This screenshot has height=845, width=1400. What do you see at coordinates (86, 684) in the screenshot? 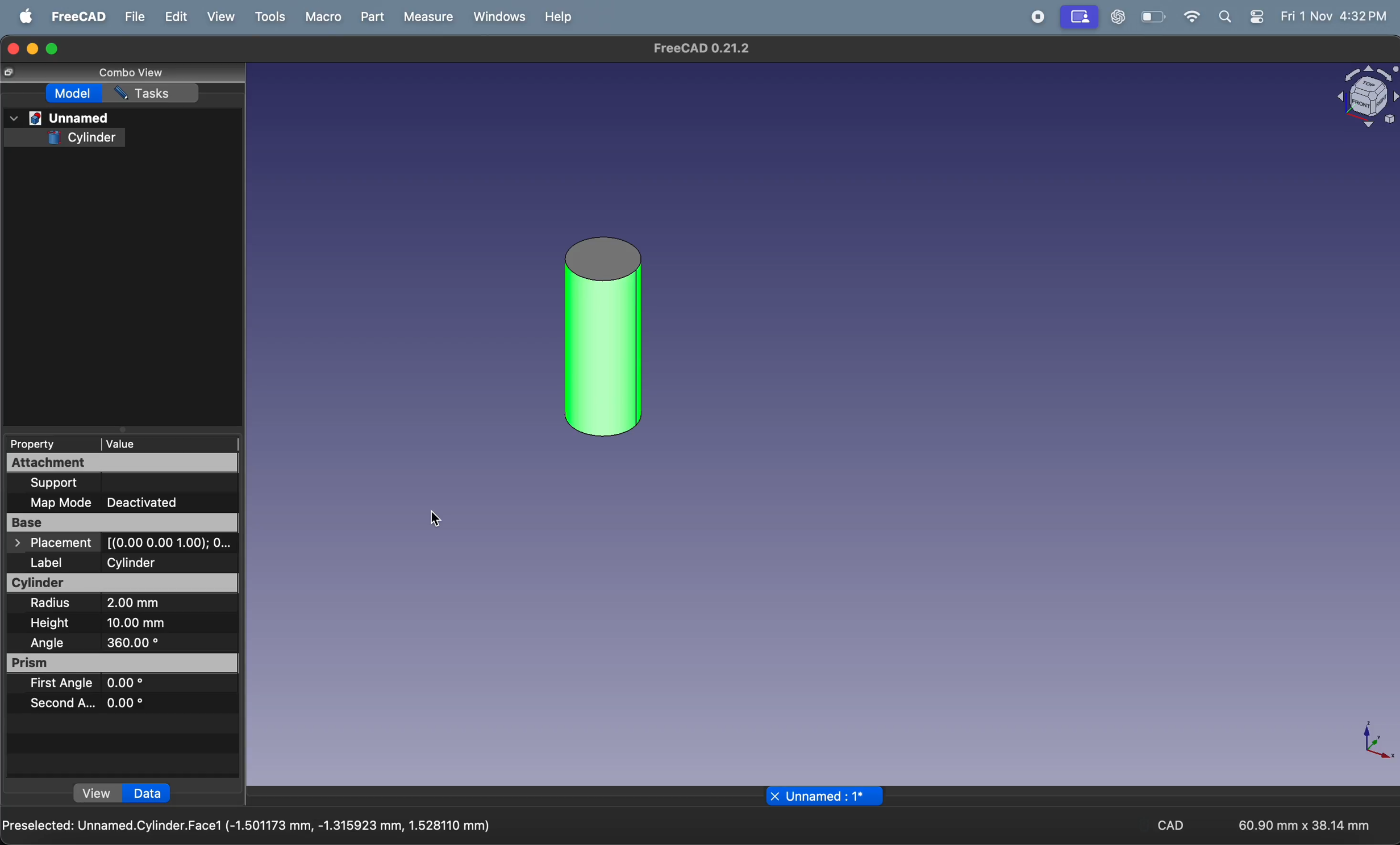
I see `first angle 0.00°` at bounding box center [86, 684].